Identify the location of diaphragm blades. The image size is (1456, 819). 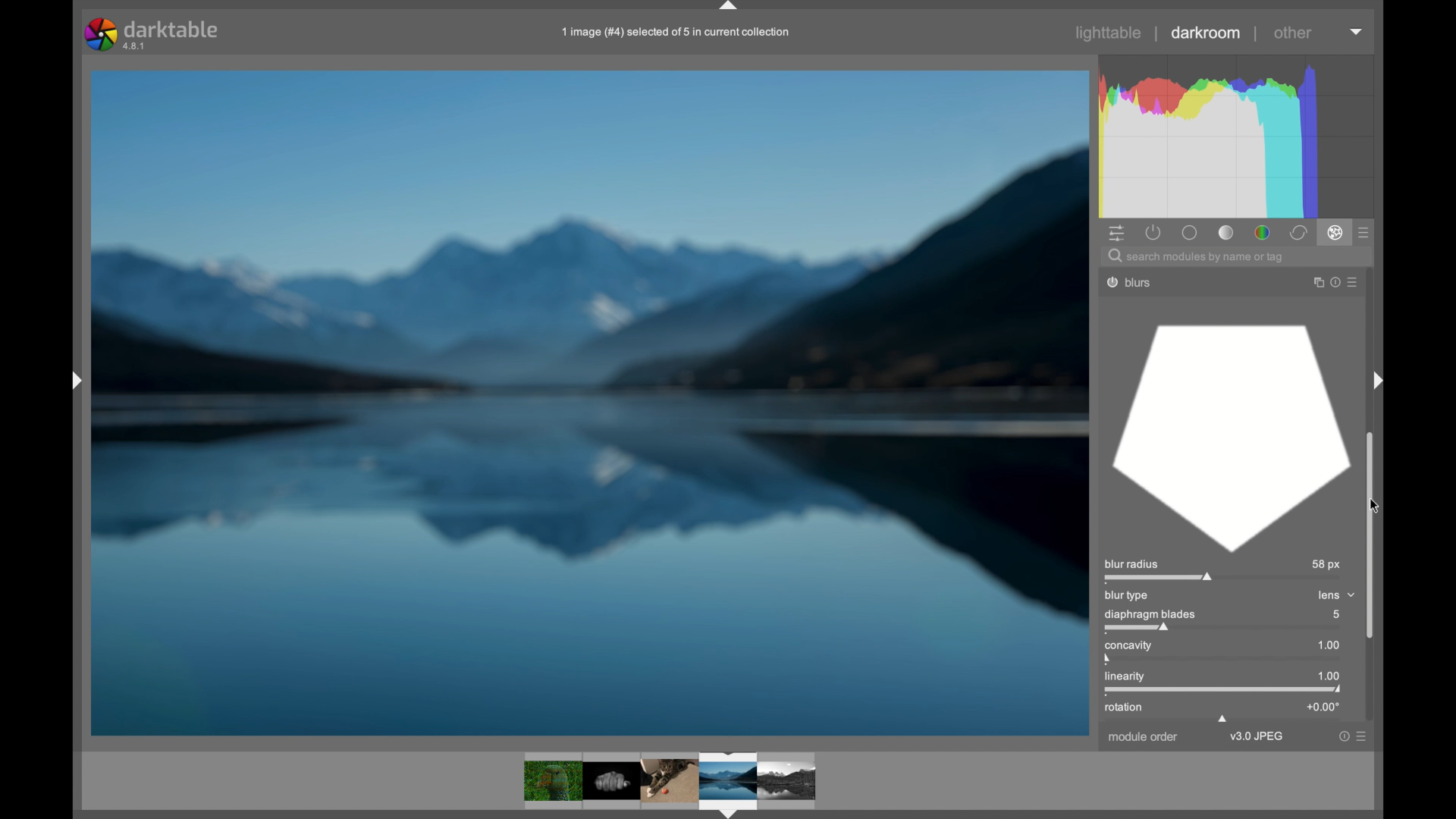
(1148, 614).